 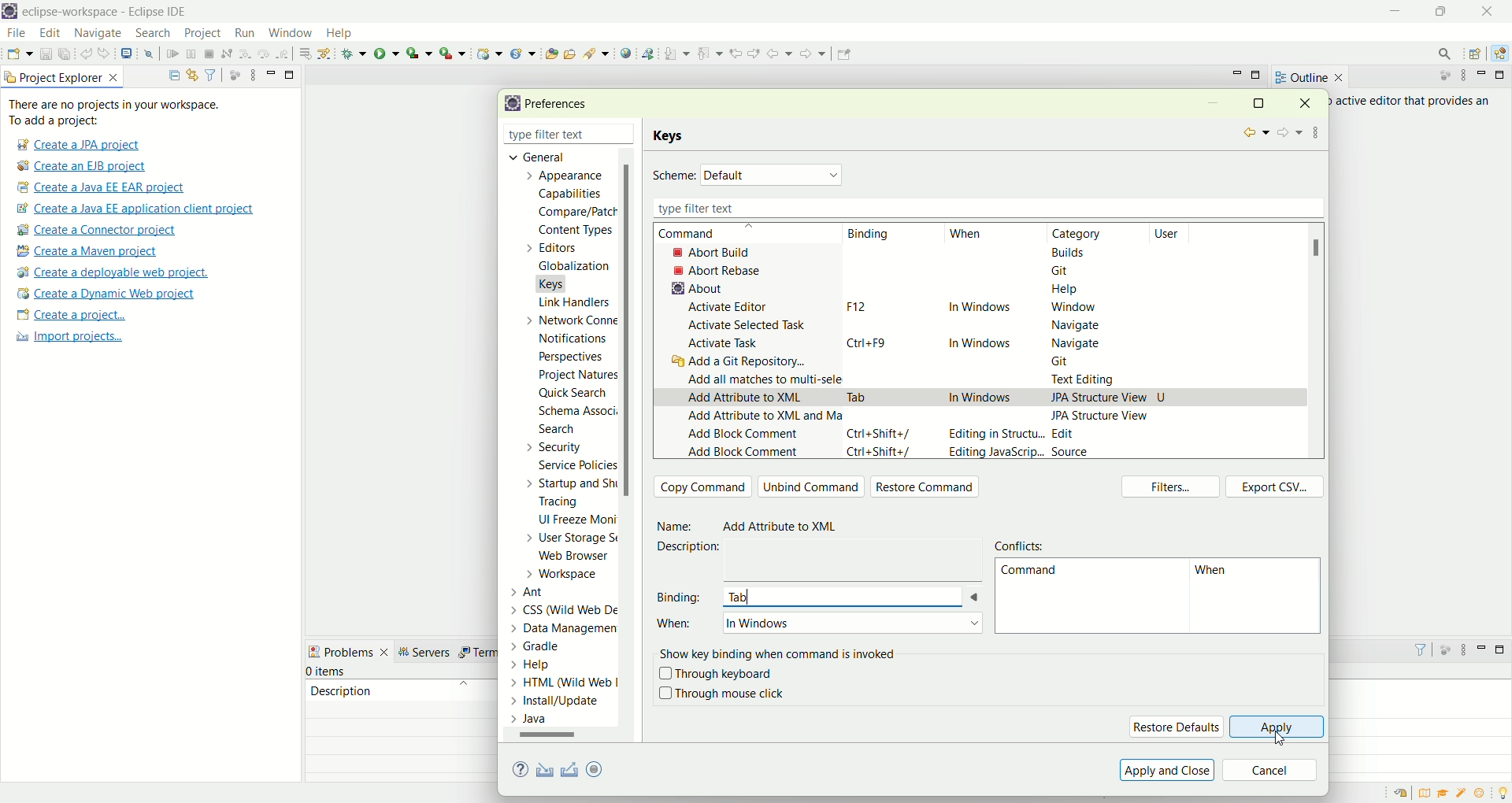 What do you see at coordinates (550, 645) in the screenshot?
I see `Gradle` at bounding box center [550, 645].